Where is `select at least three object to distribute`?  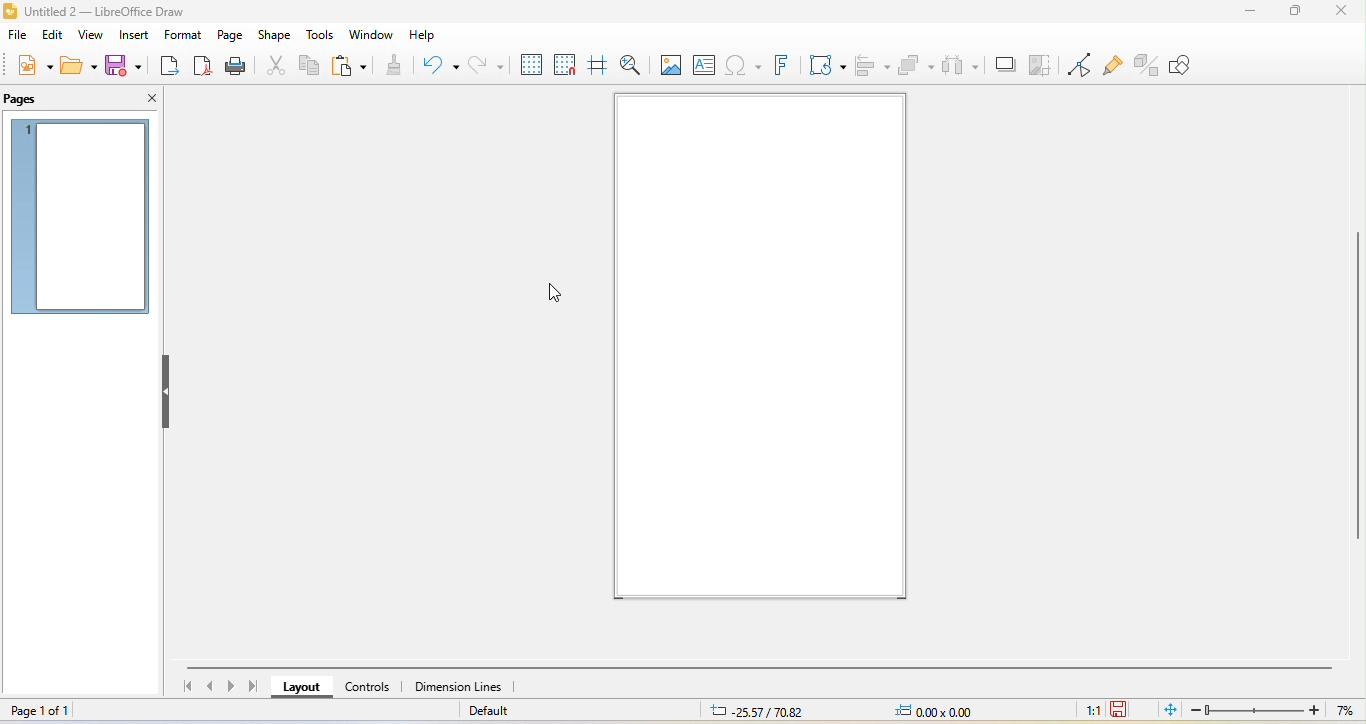 select at least three object to distribute is located at coordinates (963, 65).